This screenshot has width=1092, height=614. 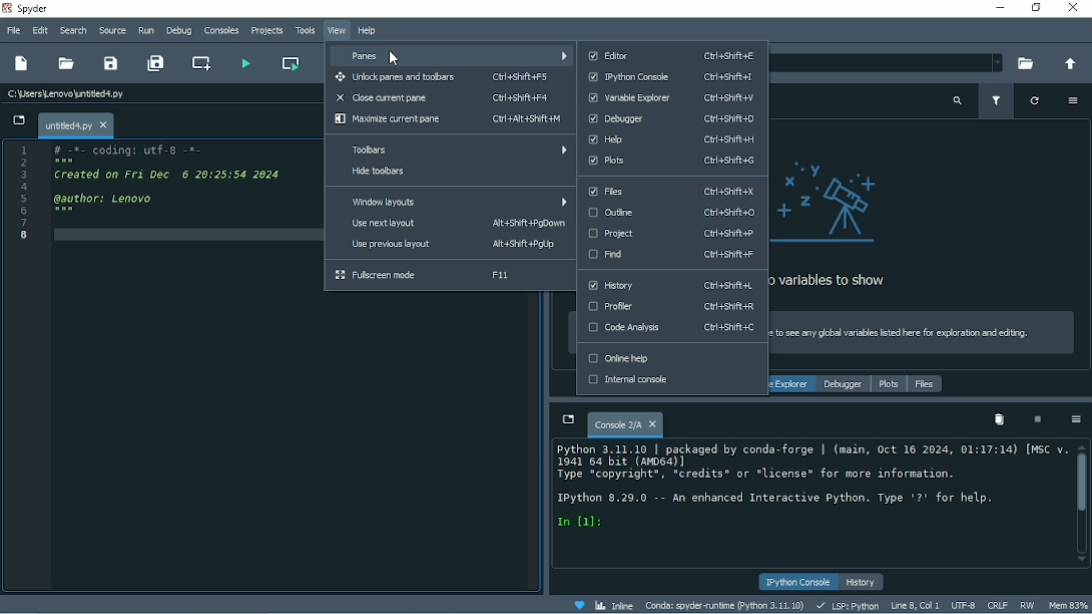 What do you see at coordinates (672, 307) in the screenshot?
I see `Profiler` at bounding box center [672, 307].